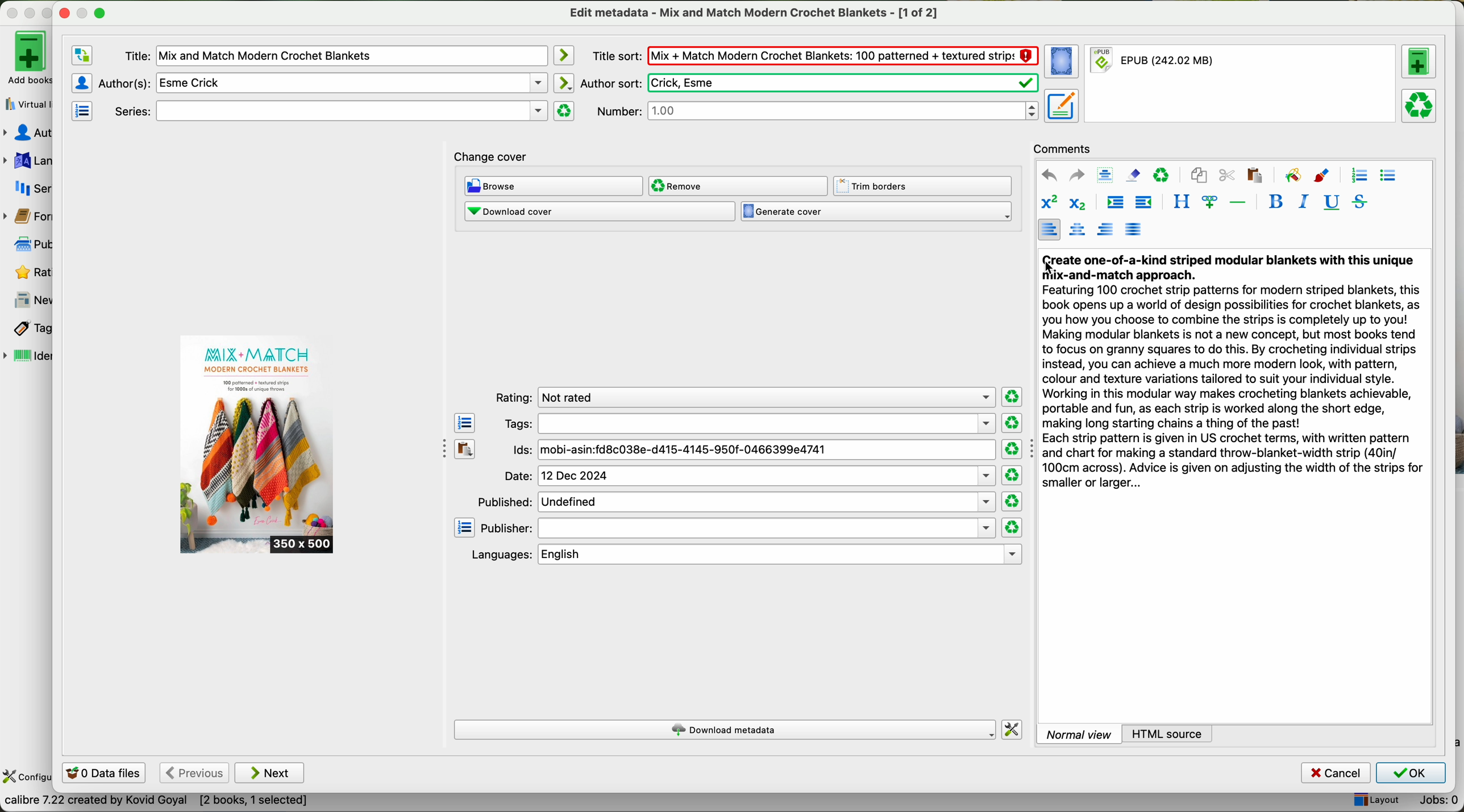 This screenshot has width=1464, height=812. What do you see at coordinates (1301, 201) in the screenshot?
I see `italic` at bounding box center [1301, 201].